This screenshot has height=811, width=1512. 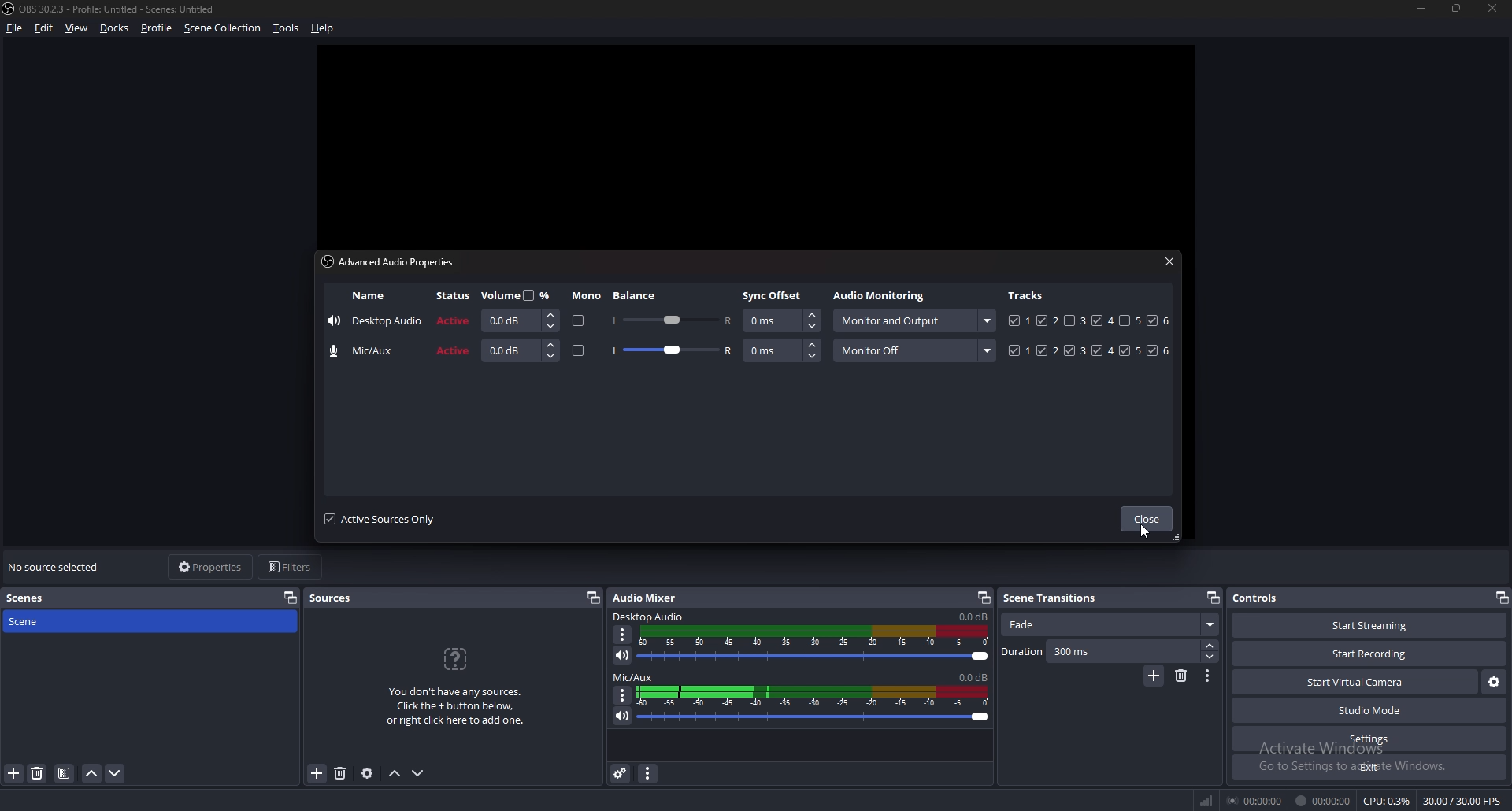 What do you see at coordinates (209, 567) in the screenshot?
I see `properties` at bounding box center [209, 567].